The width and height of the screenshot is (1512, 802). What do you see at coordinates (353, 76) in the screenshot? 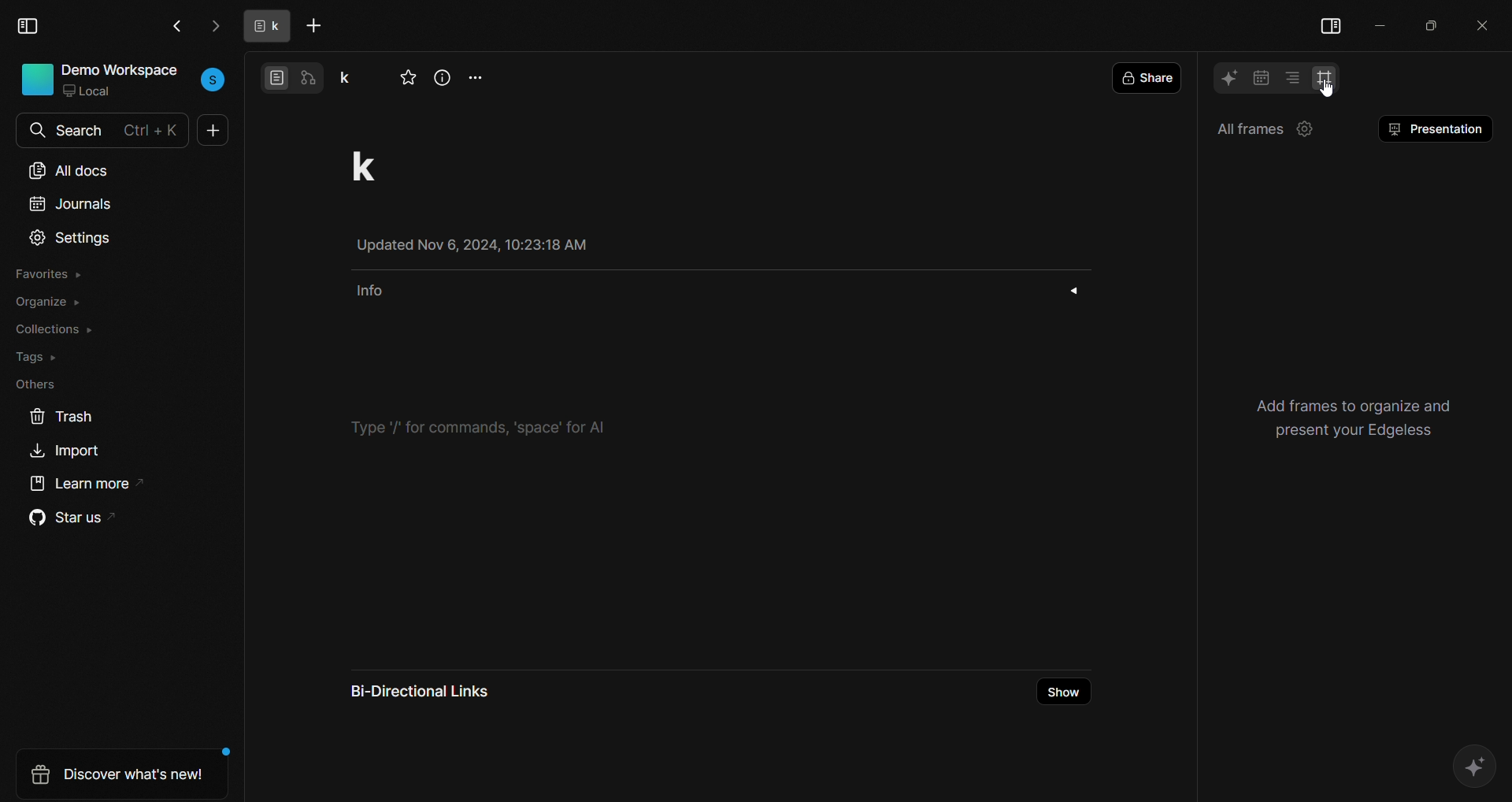
I see `project name` at bounding box center [353, 76].